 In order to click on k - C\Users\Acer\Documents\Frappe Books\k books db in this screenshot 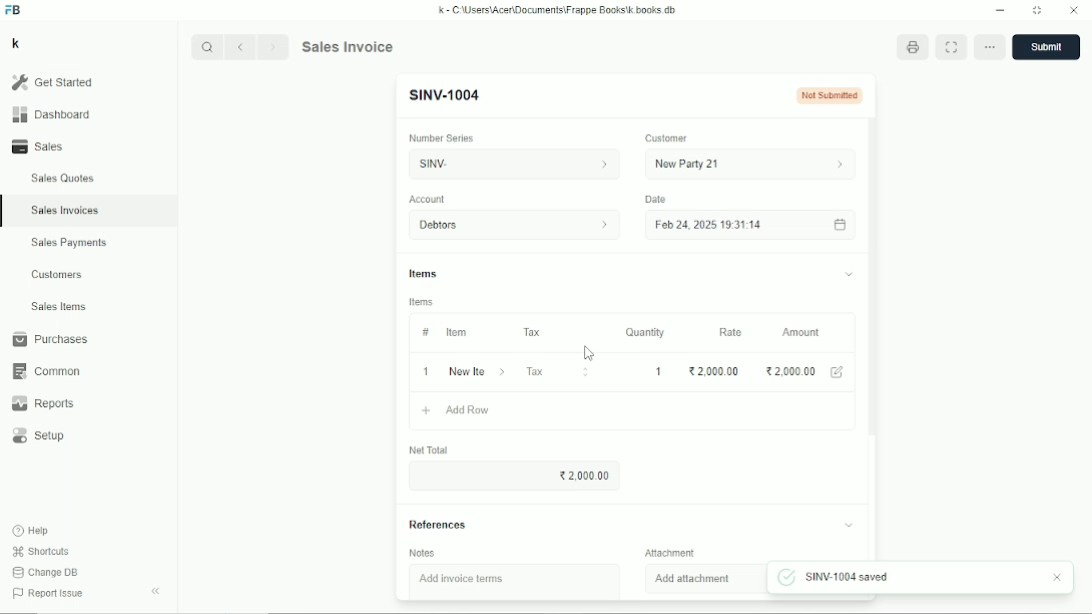, I will do `click(559, 9)`.